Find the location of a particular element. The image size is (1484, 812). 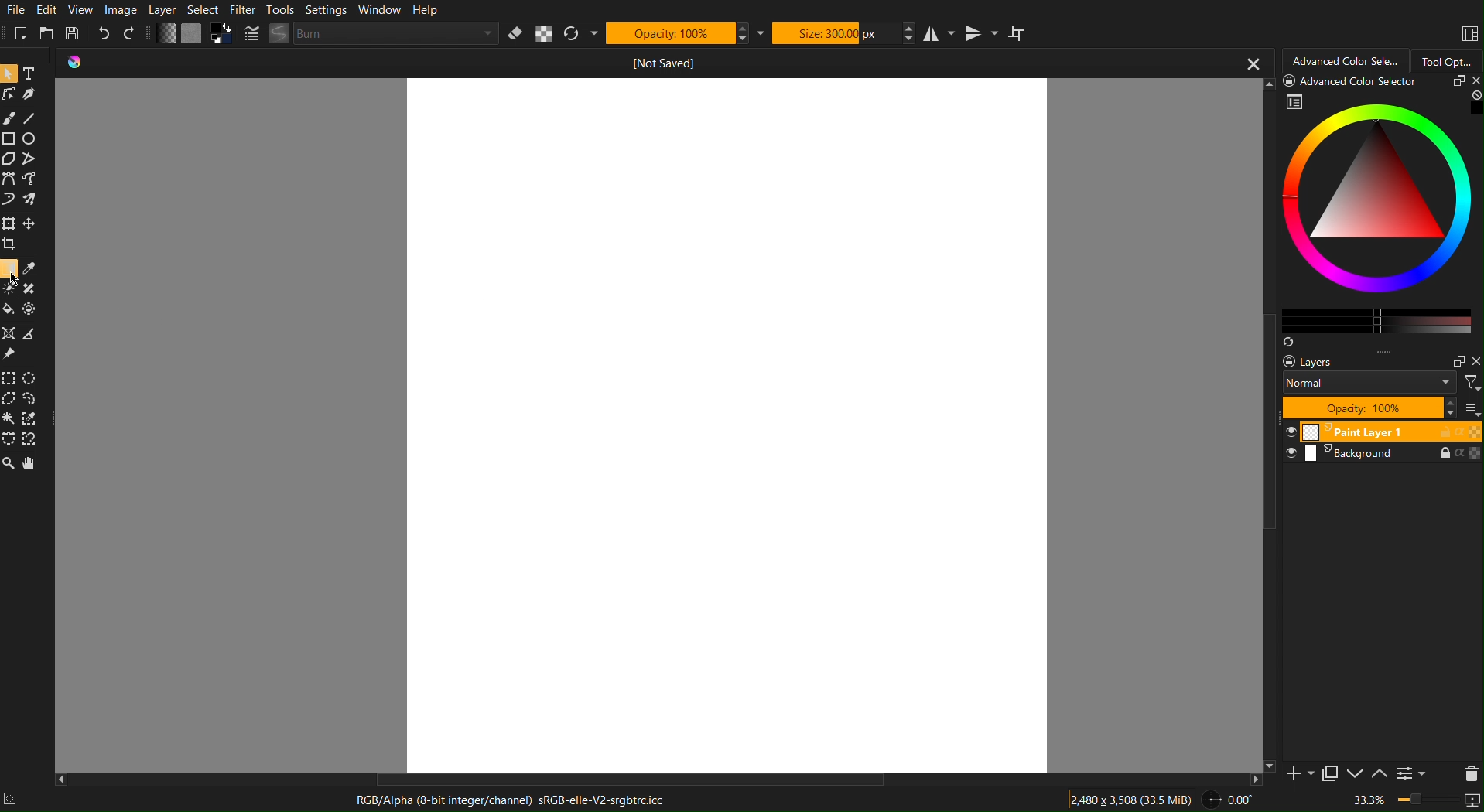

Move is located at coordinates (34, 464).